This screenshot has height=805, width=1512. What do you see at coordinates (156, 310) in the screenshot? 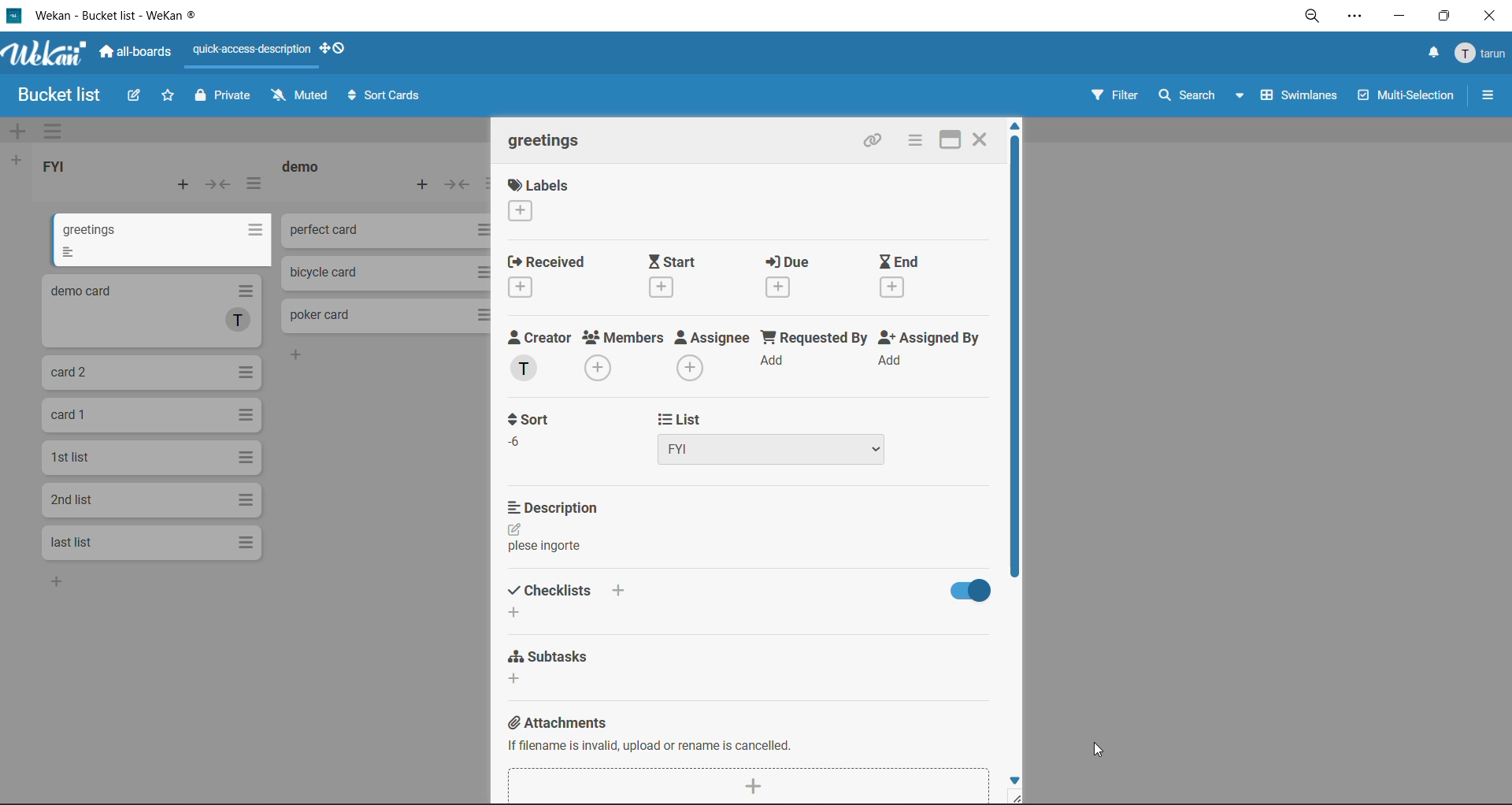
I see `cards` at bounding box center [156, 310].